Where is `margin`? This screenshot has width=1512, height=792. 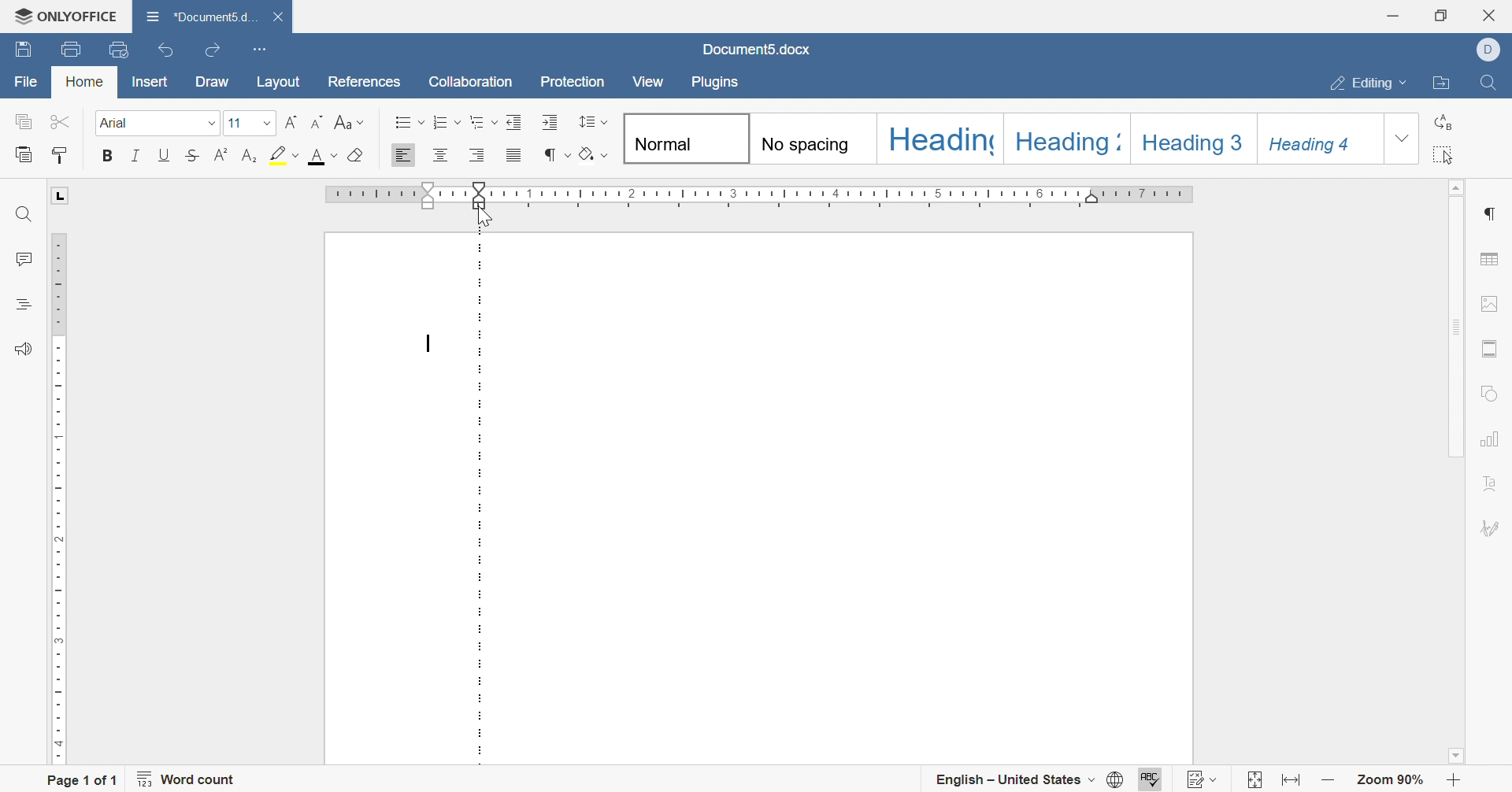 margin is located at coordinates (481, 499).